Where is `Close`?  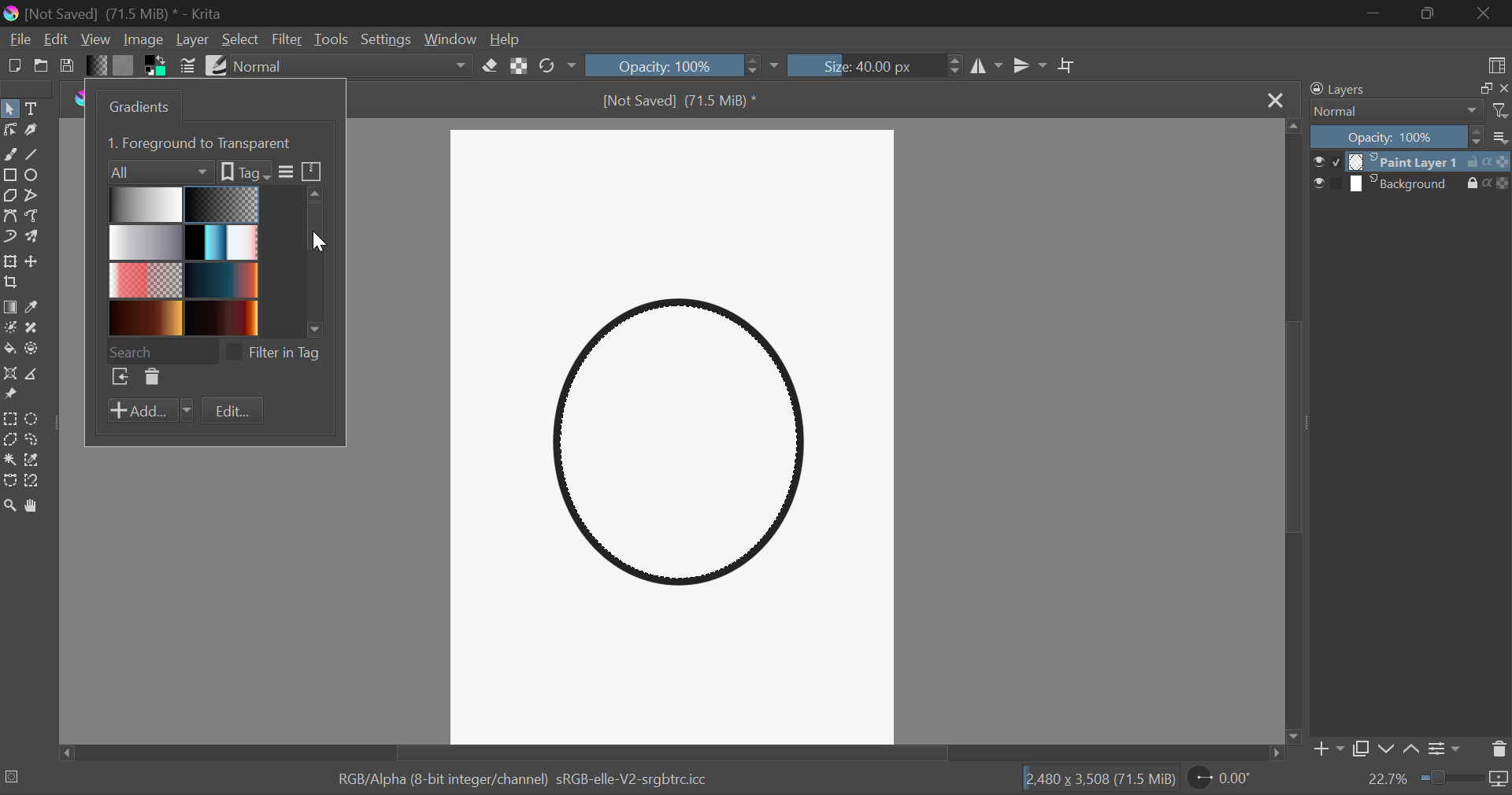 Close is located at coordinates (1488, 14).